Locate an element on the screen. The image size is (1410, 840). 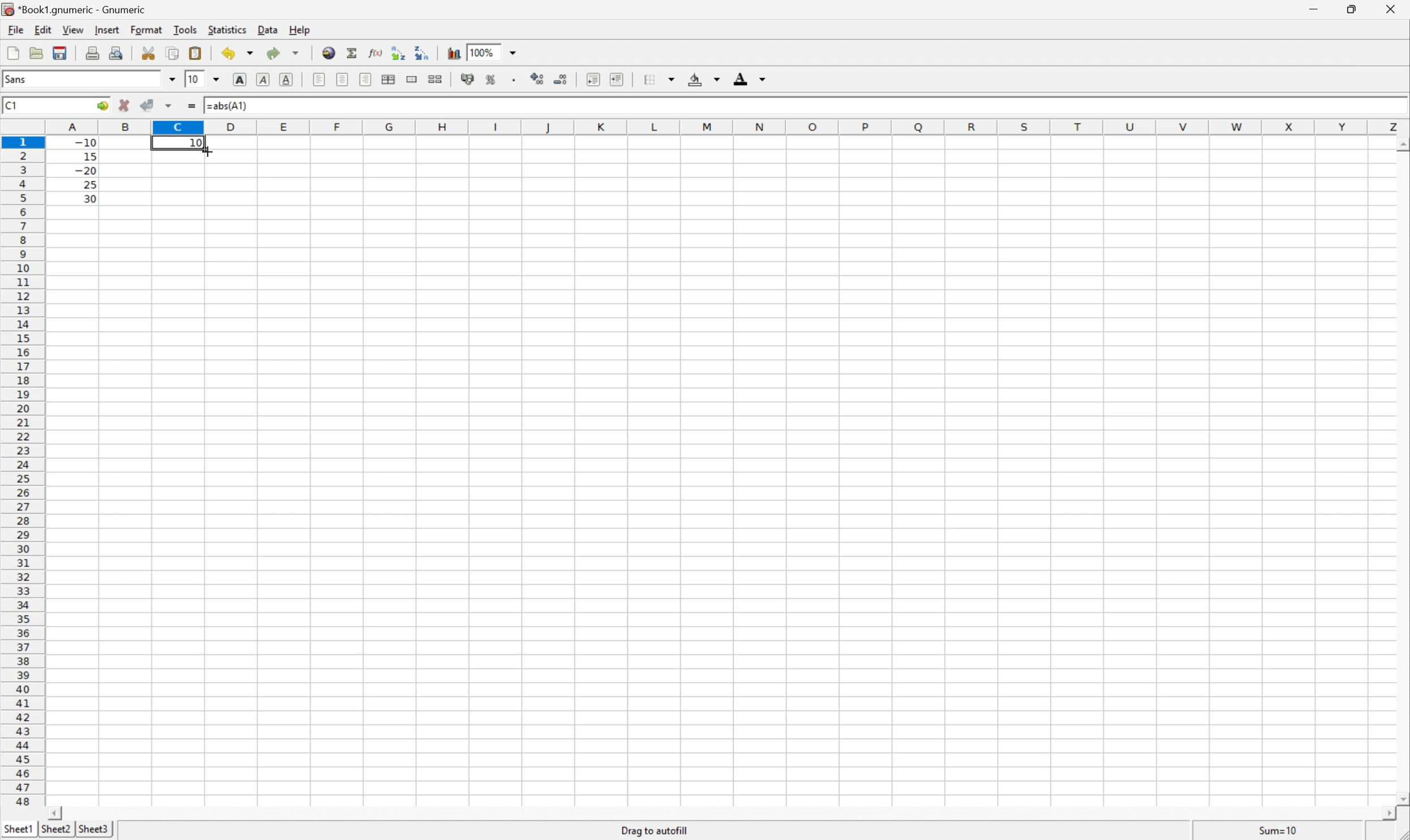
Cut the selection is located at coordinates (151, 53).